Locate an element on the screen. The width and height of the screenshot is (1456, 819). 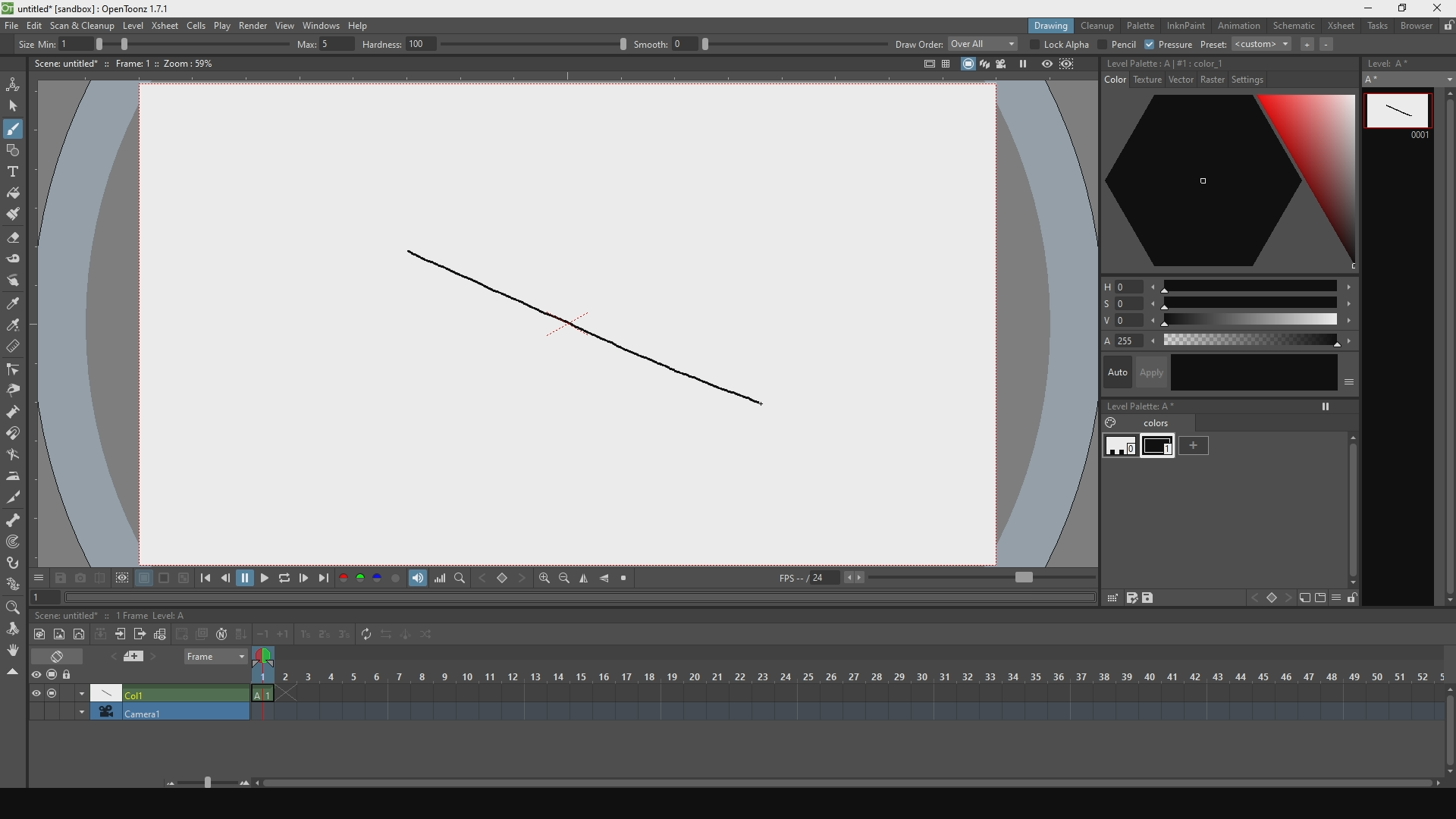
zoom in is located at coordinates (544, 579).